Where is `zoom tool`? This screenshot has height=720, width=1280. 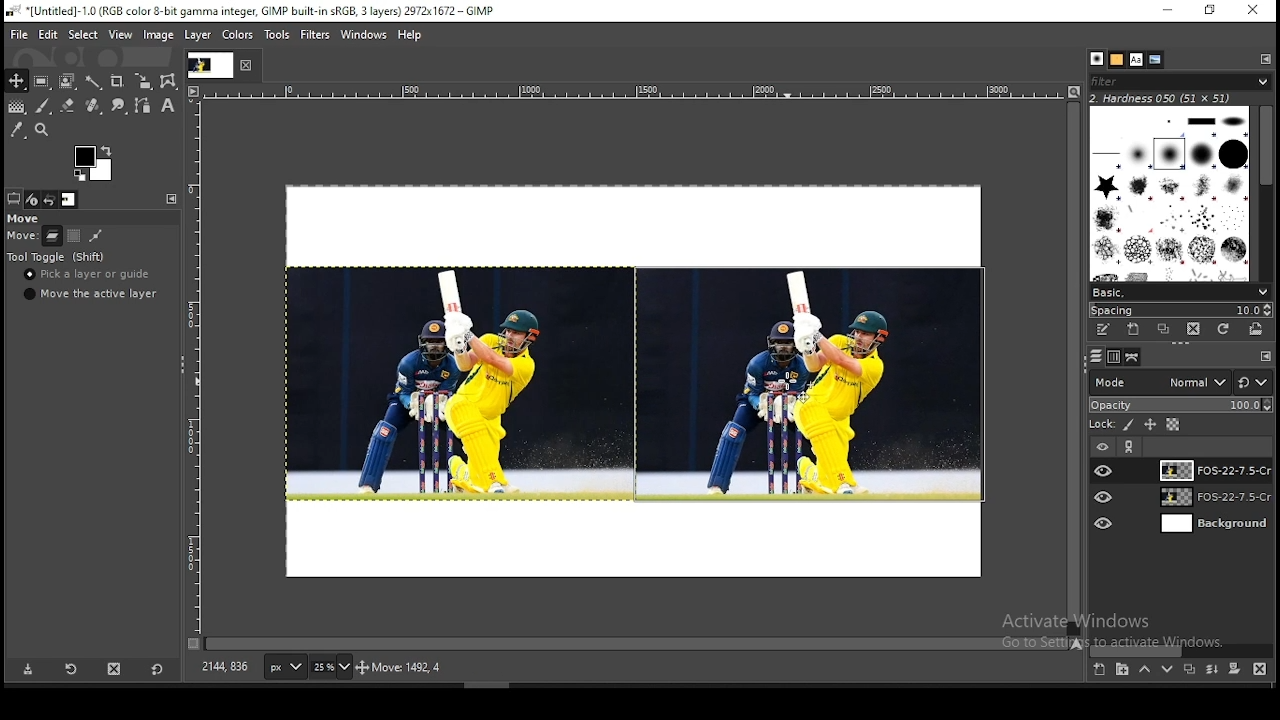 zoom tool is located at coordinates (44, 129).